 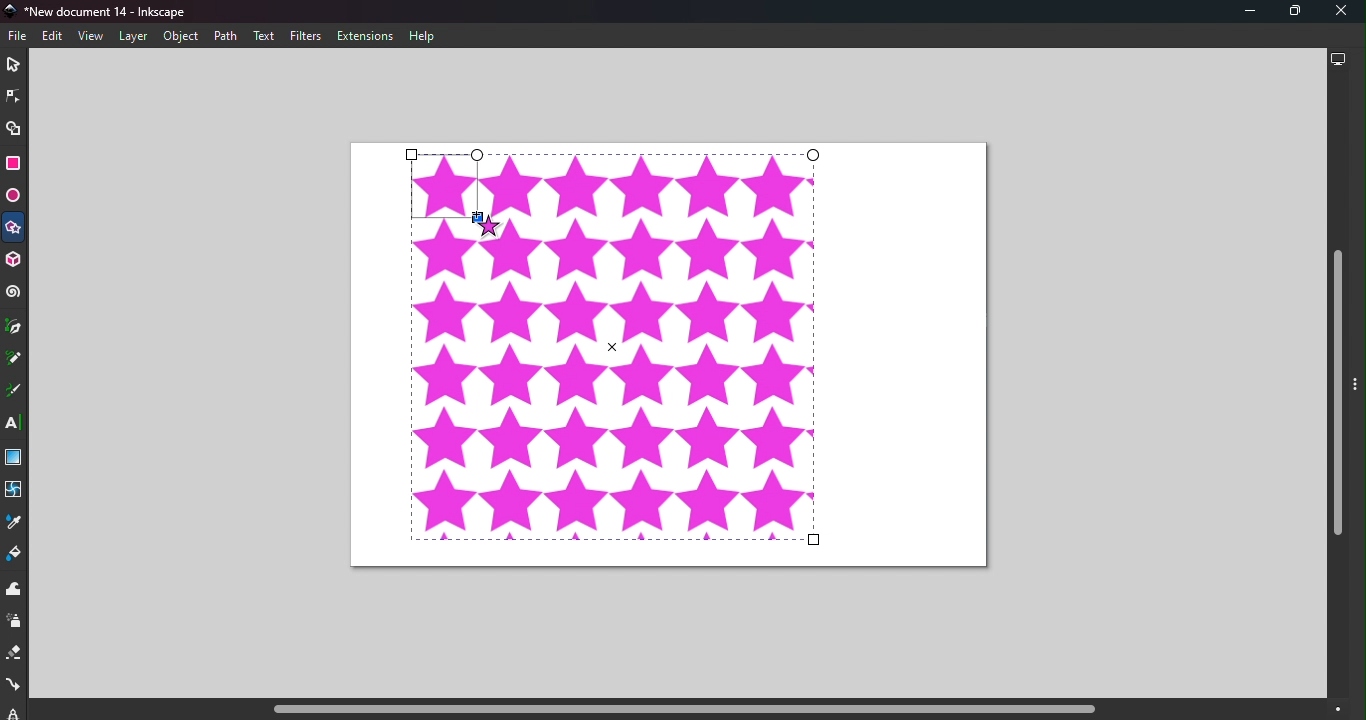 What do you see at coordinates (264, 36) in the screenshot?
I see `Text` at bounding box center [264, 36].